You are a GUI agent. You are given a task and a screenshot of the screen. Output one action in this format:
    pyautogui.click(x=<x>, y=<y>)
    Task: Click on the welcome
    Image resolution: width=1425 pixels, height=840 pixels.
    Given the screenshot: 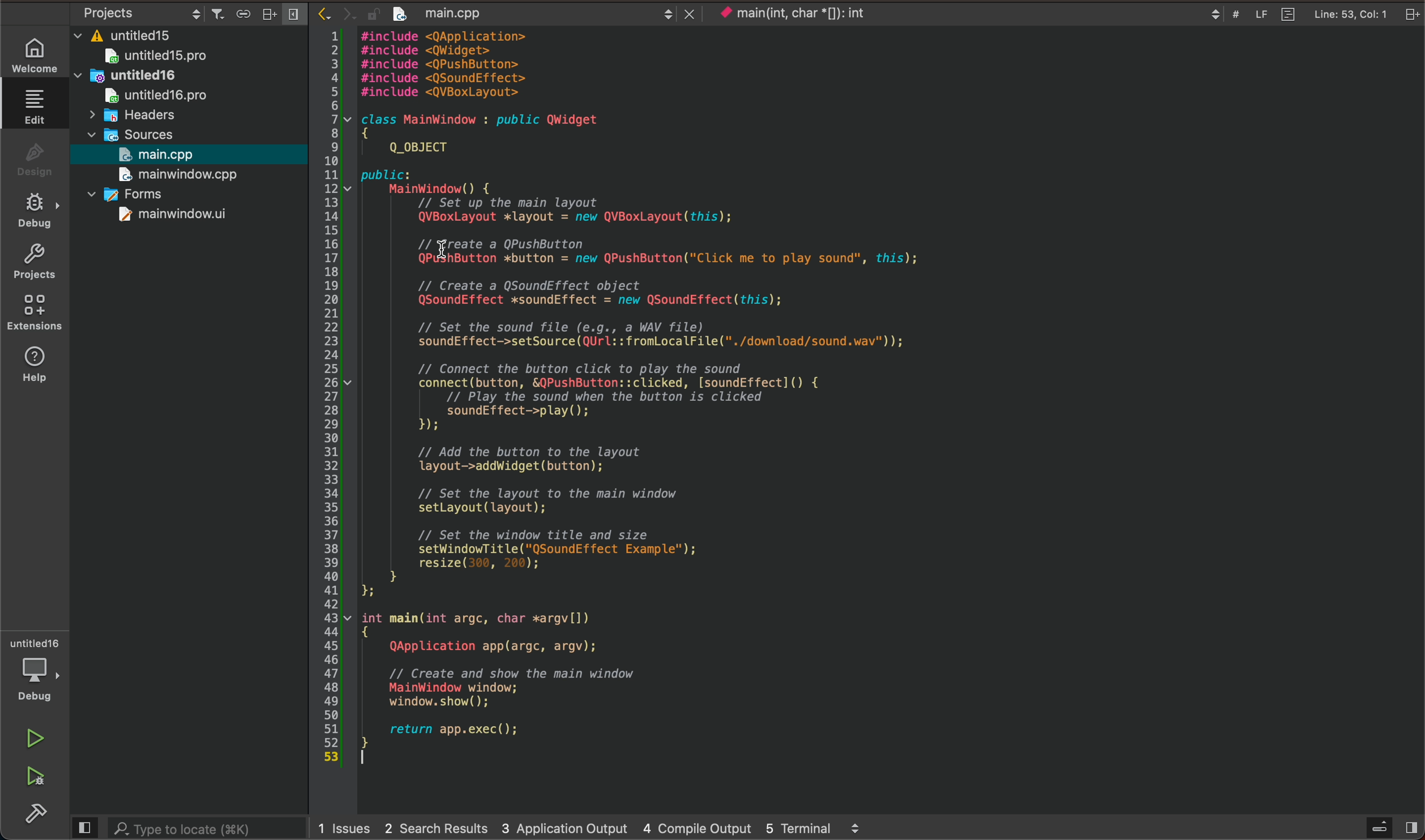 What is the action you would take?
    pyautogui.click(x=38, y=53)
    